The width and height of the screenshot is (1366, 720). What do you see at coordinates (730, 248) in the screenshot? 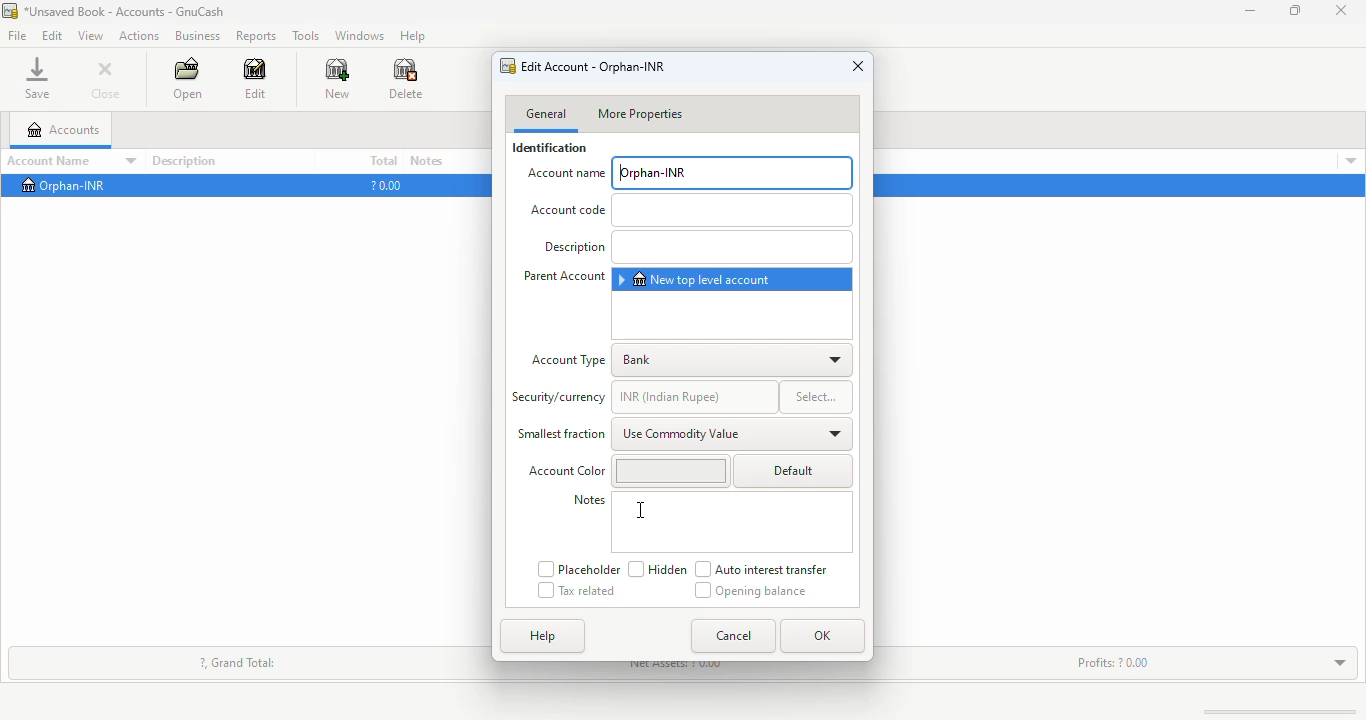
I see `add description` at bounding box center [730, 248].